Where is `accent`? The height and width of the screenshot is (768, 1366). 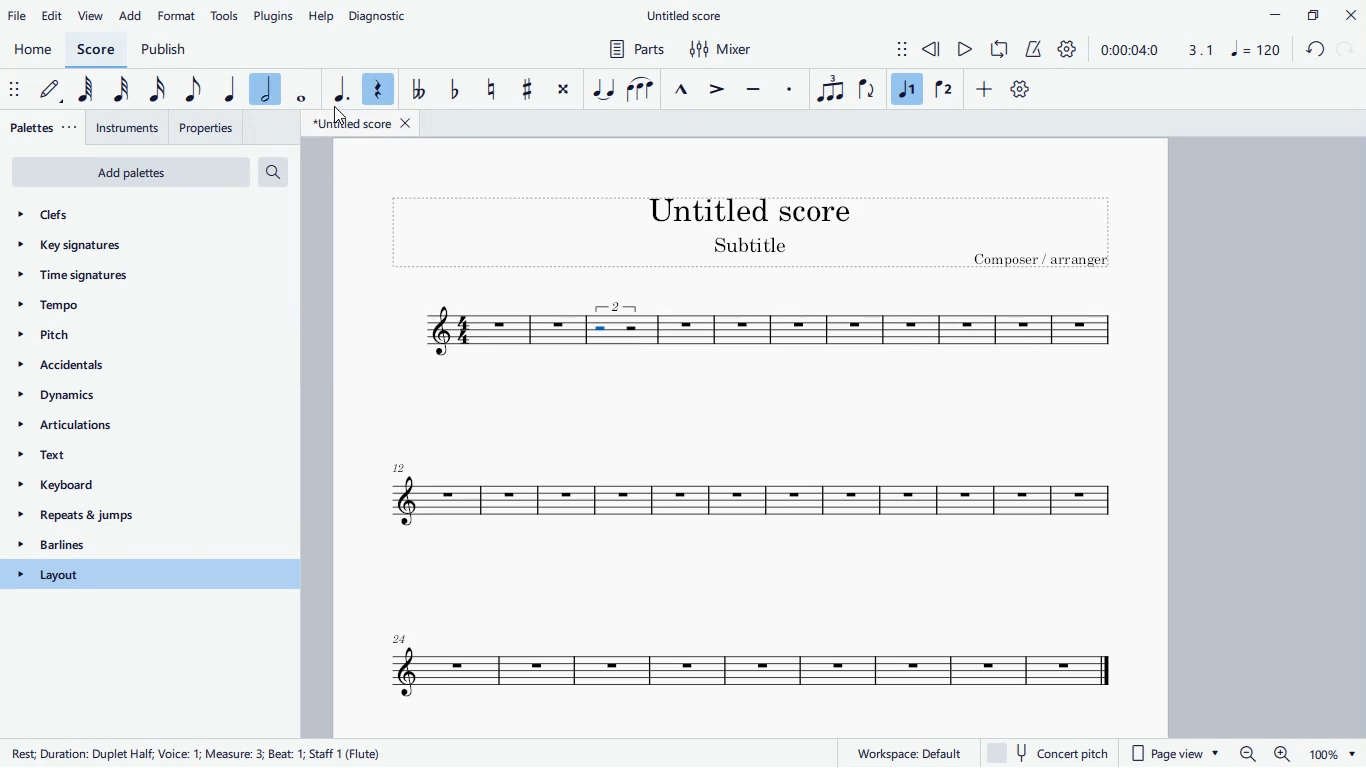 accent is located at coordinates (719, 90).